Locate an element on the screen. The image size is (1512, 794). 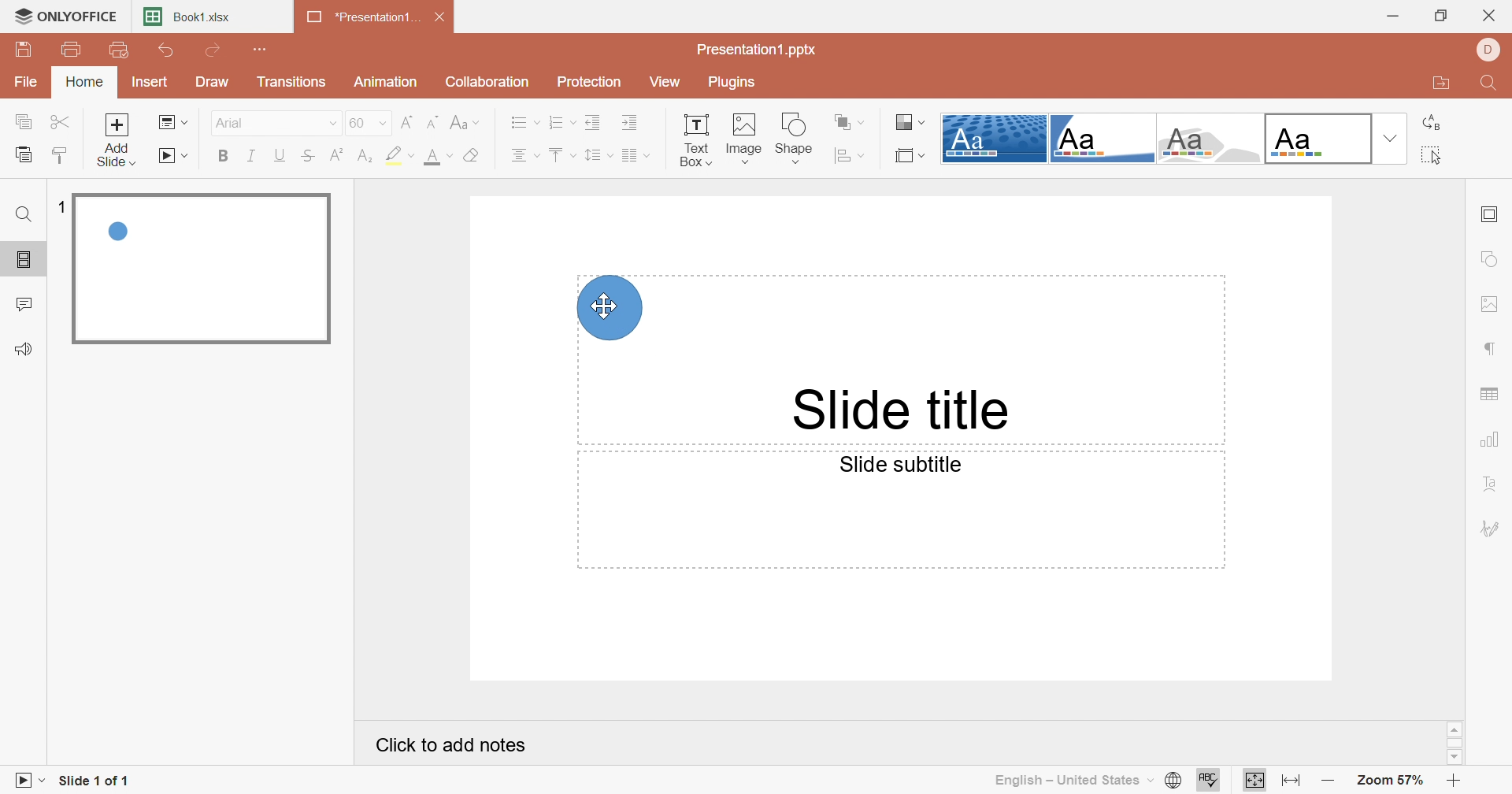
File is located at coordinates (28, 80).